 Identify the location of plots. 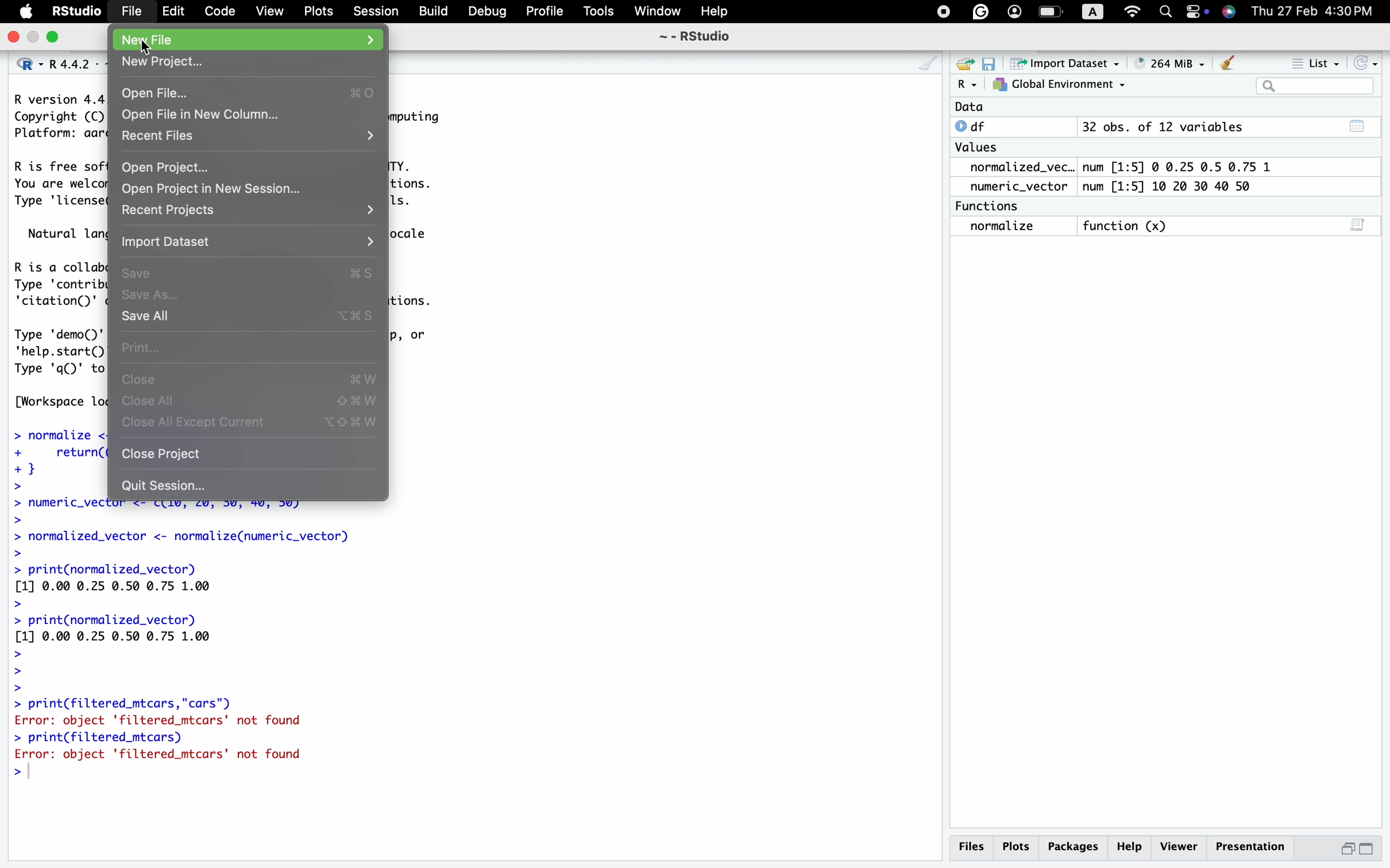
(318, 11).